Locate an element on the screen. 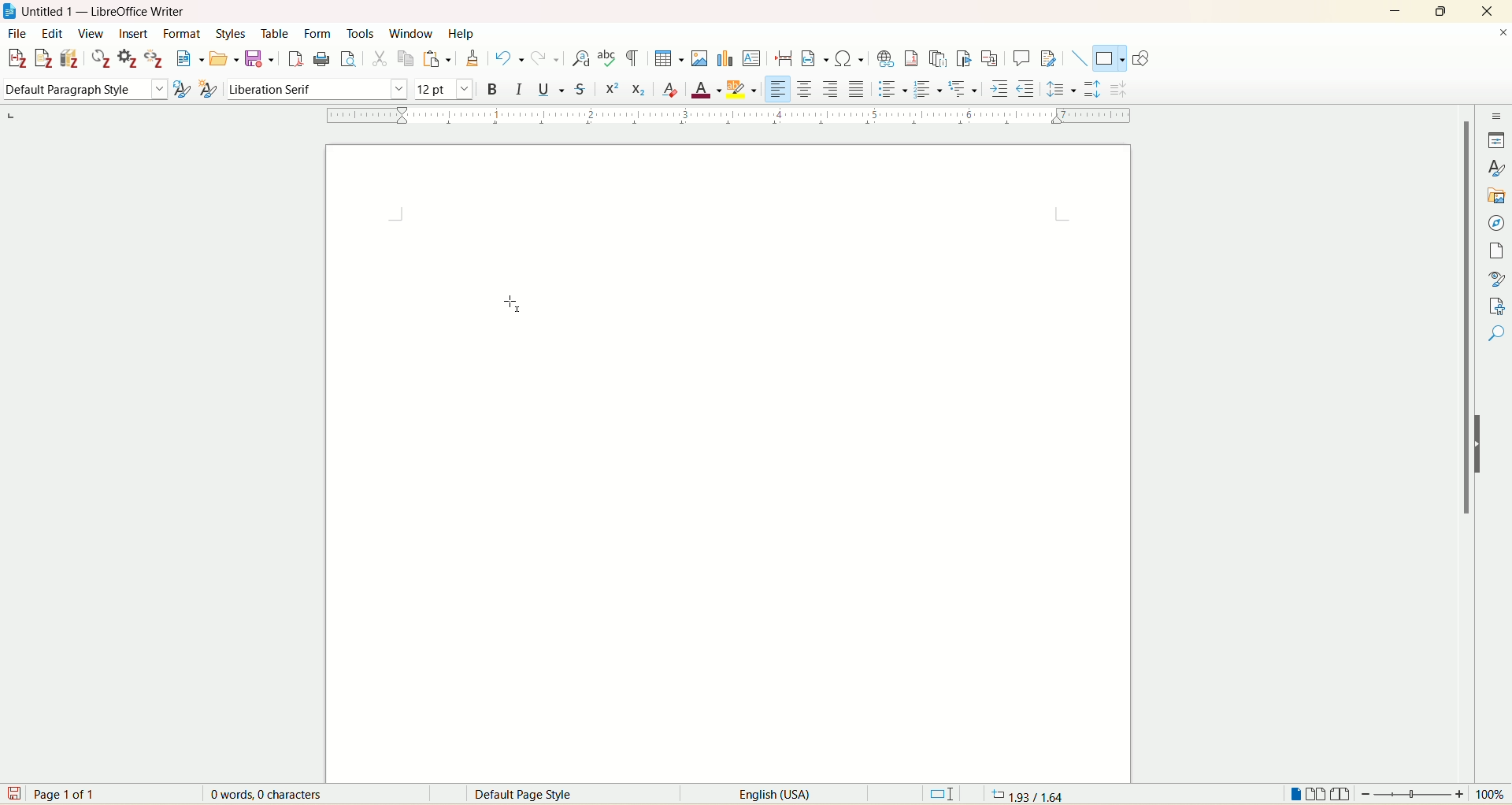 The width and height of the screenshot is (1512, 805). add citation is located at coordinates (15, 59).